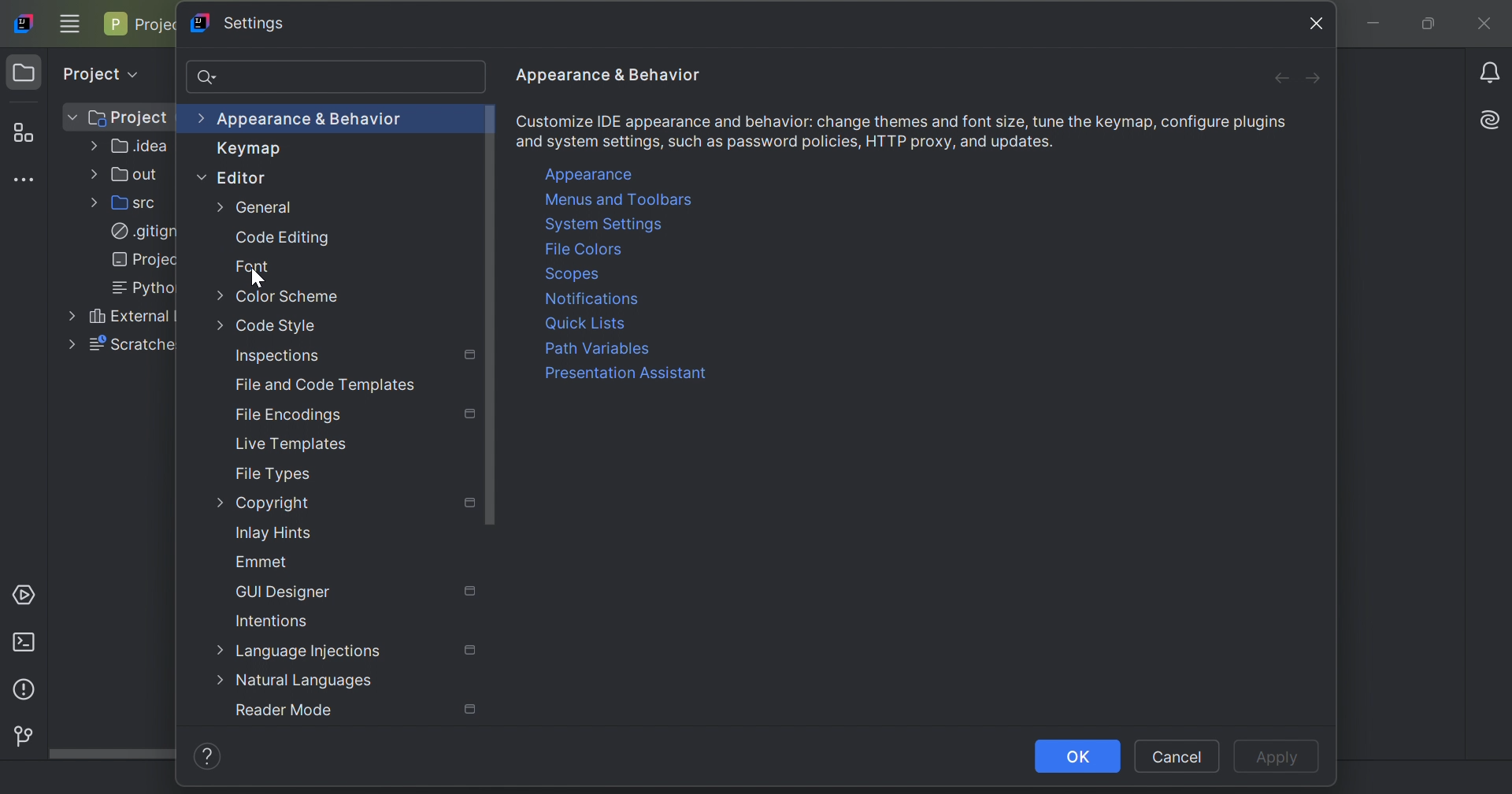  I want to click on External, so click(118, 315).